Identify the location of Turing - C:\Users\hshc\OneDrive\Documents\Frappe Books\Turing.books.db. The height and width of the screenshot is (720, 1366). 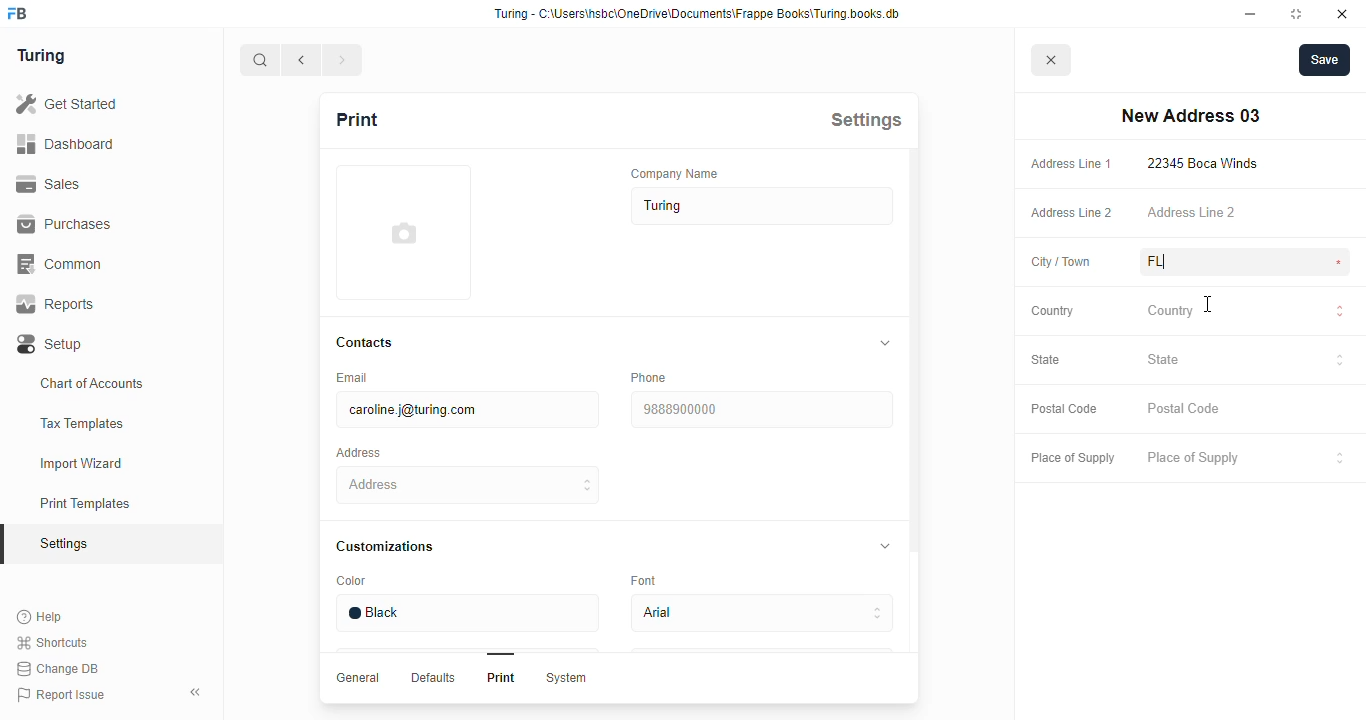
(699, 14).